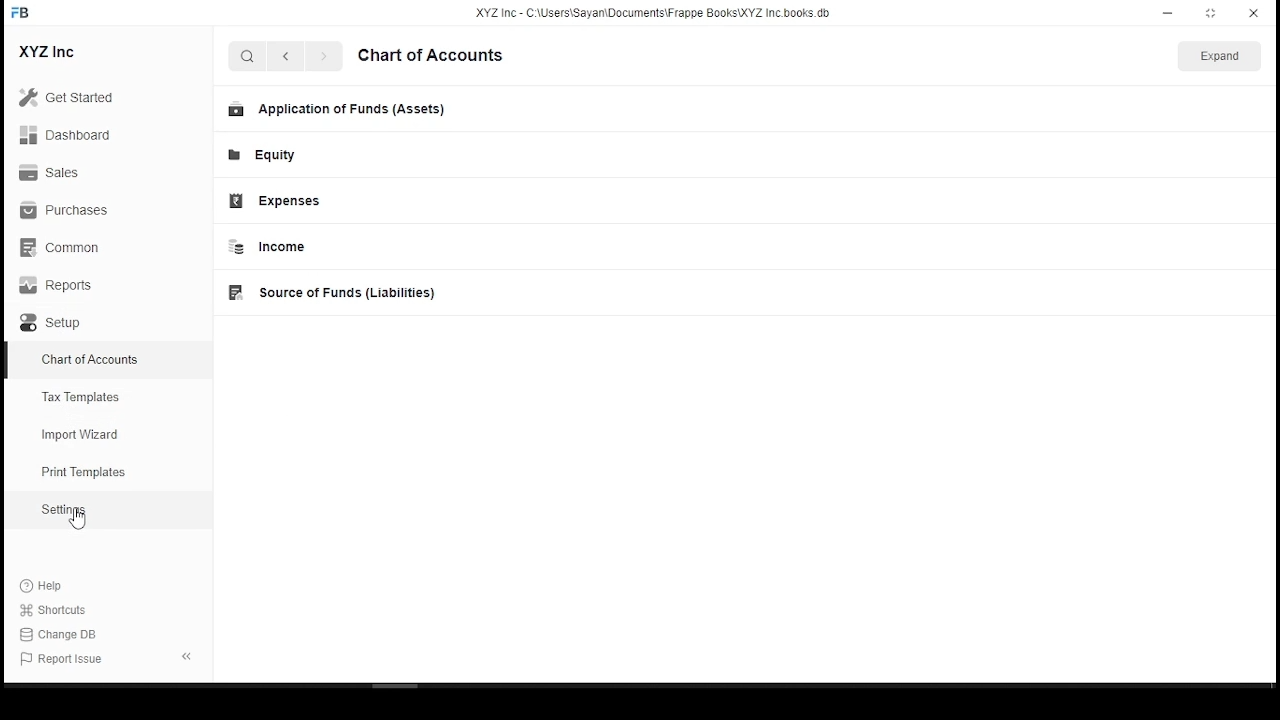 Image resolution: width=1280 pixels, height=720 pixels. Describe the element at coordinates (433, 55) in the screenshot. I see `chart of accounts` at that location.